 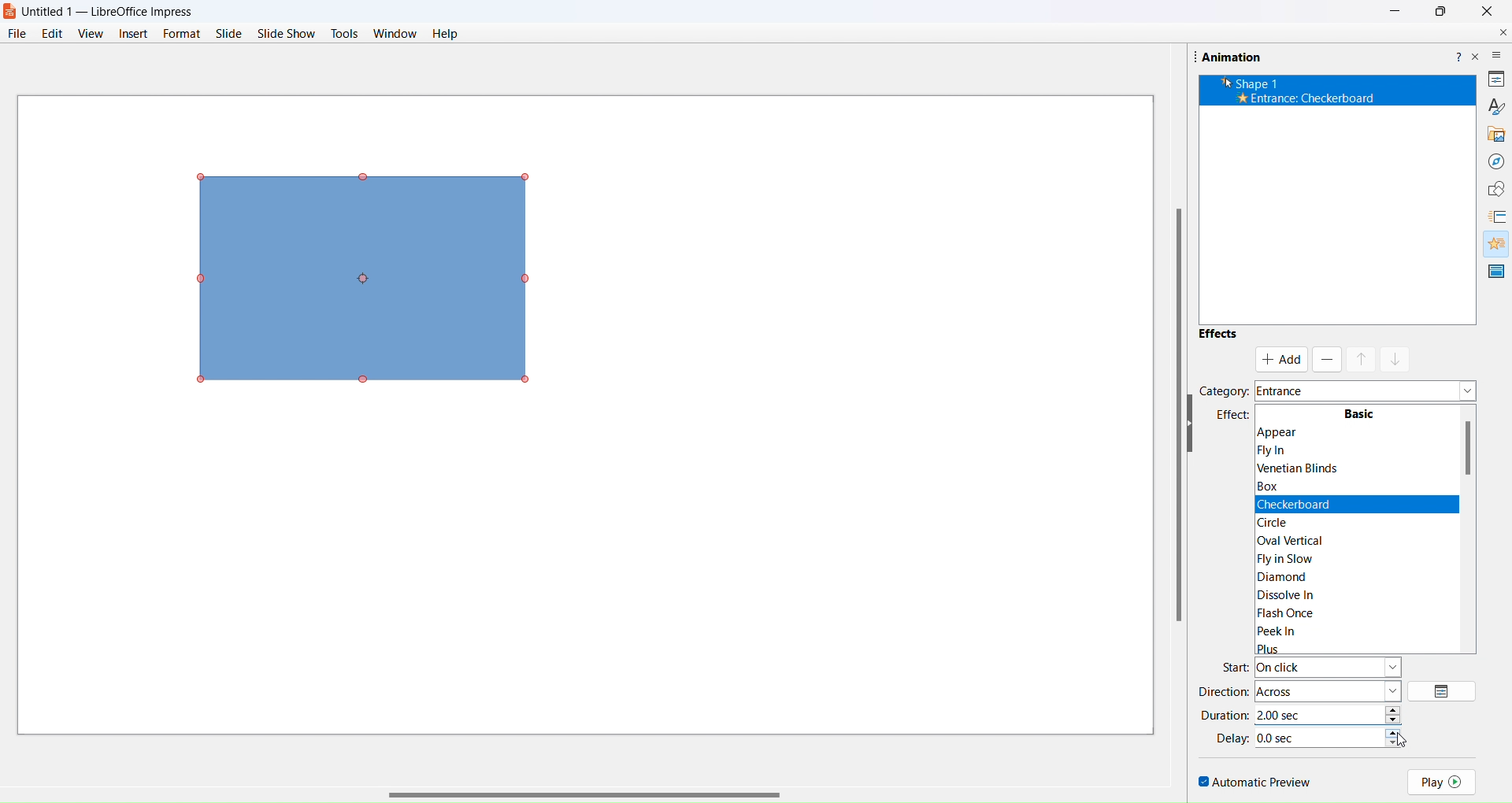 I want to click on direction type, so click(x=1329, y=690).